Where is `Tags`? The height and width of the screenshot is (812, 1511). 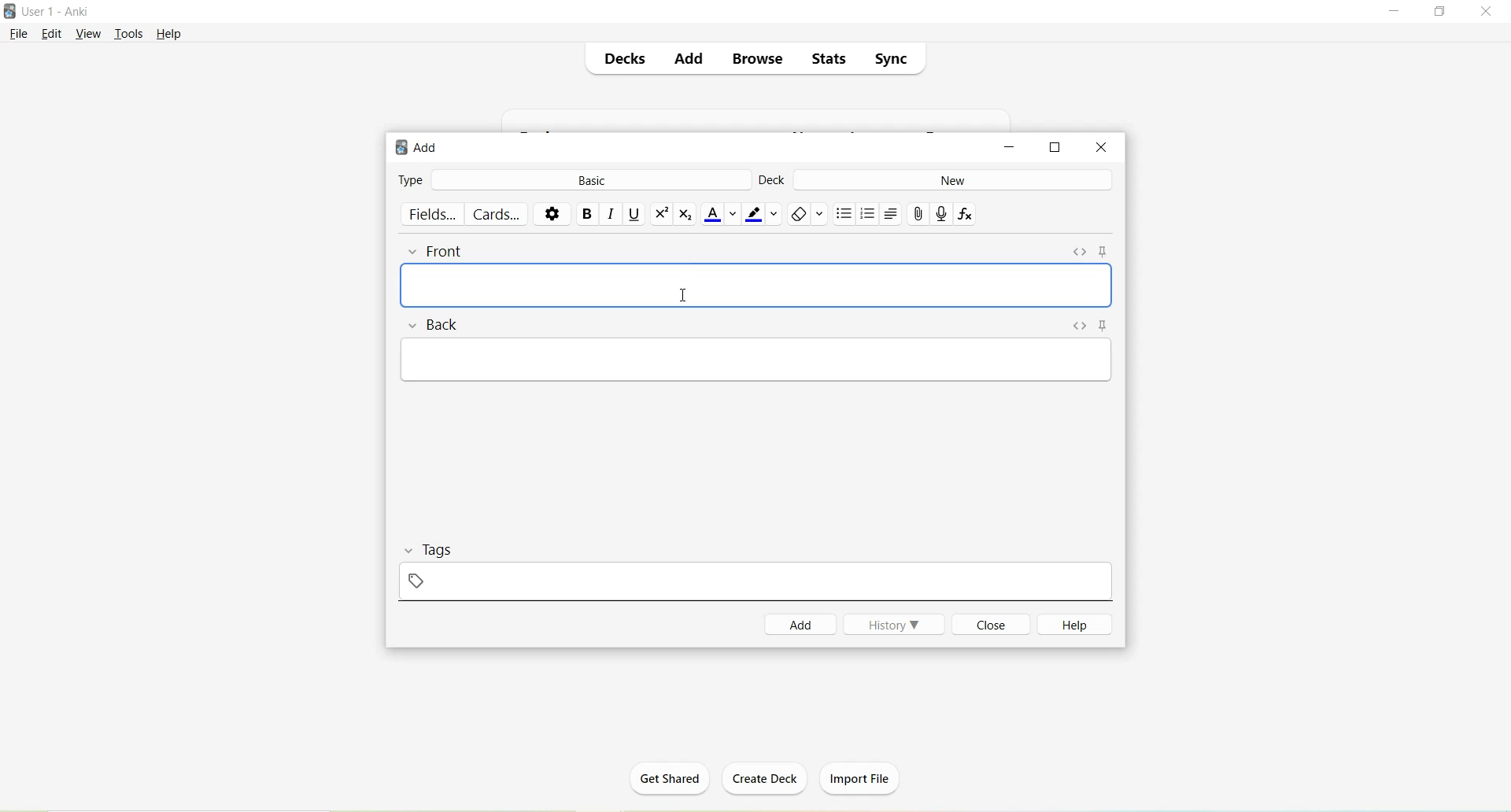
Tags is located at coordinates (447, 549).